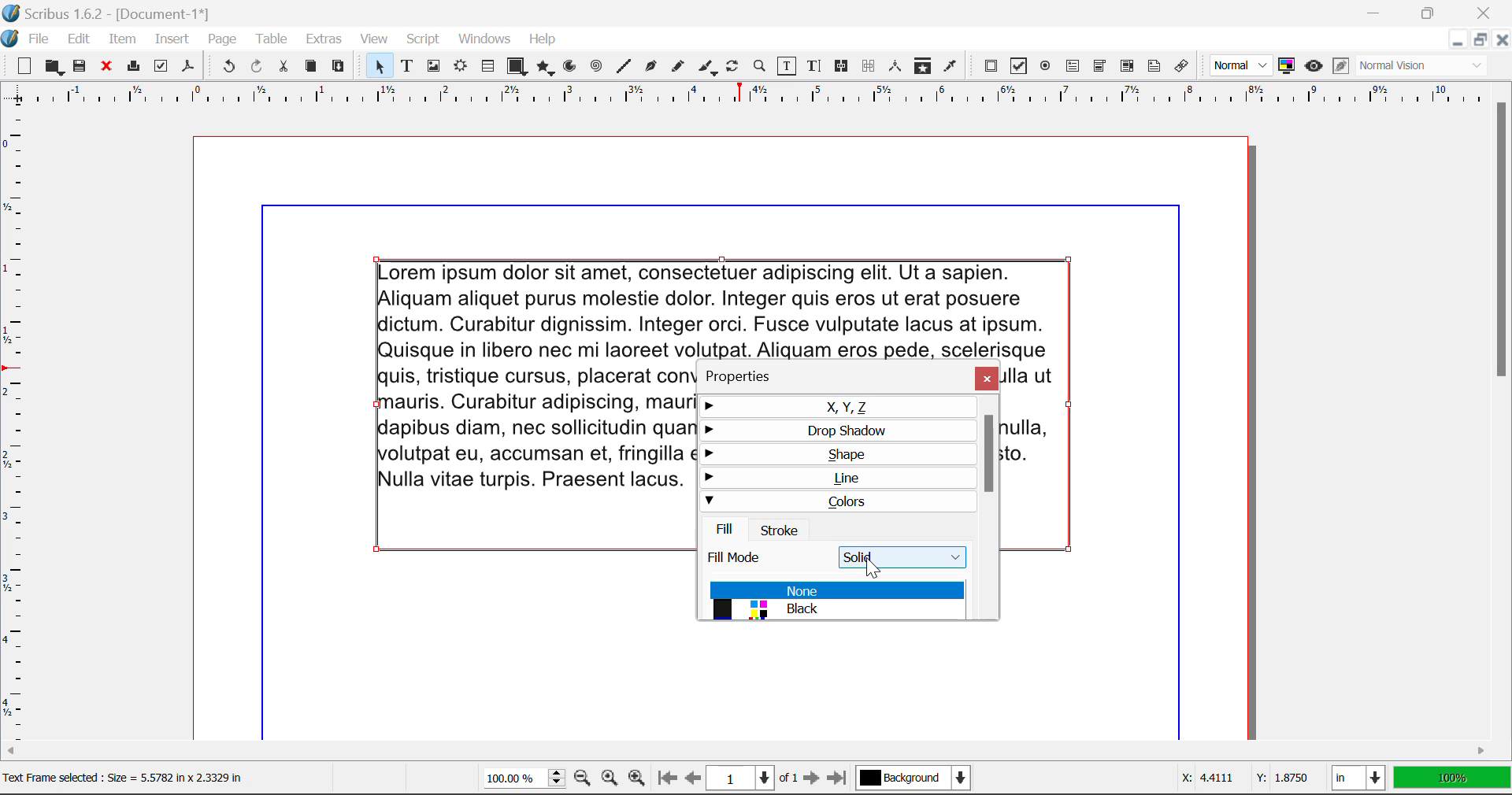 The width and height of the screenshot is (1512, 795). Describe the element at coordinates (221, 40) in the screenshot. I see `Page` at that location.